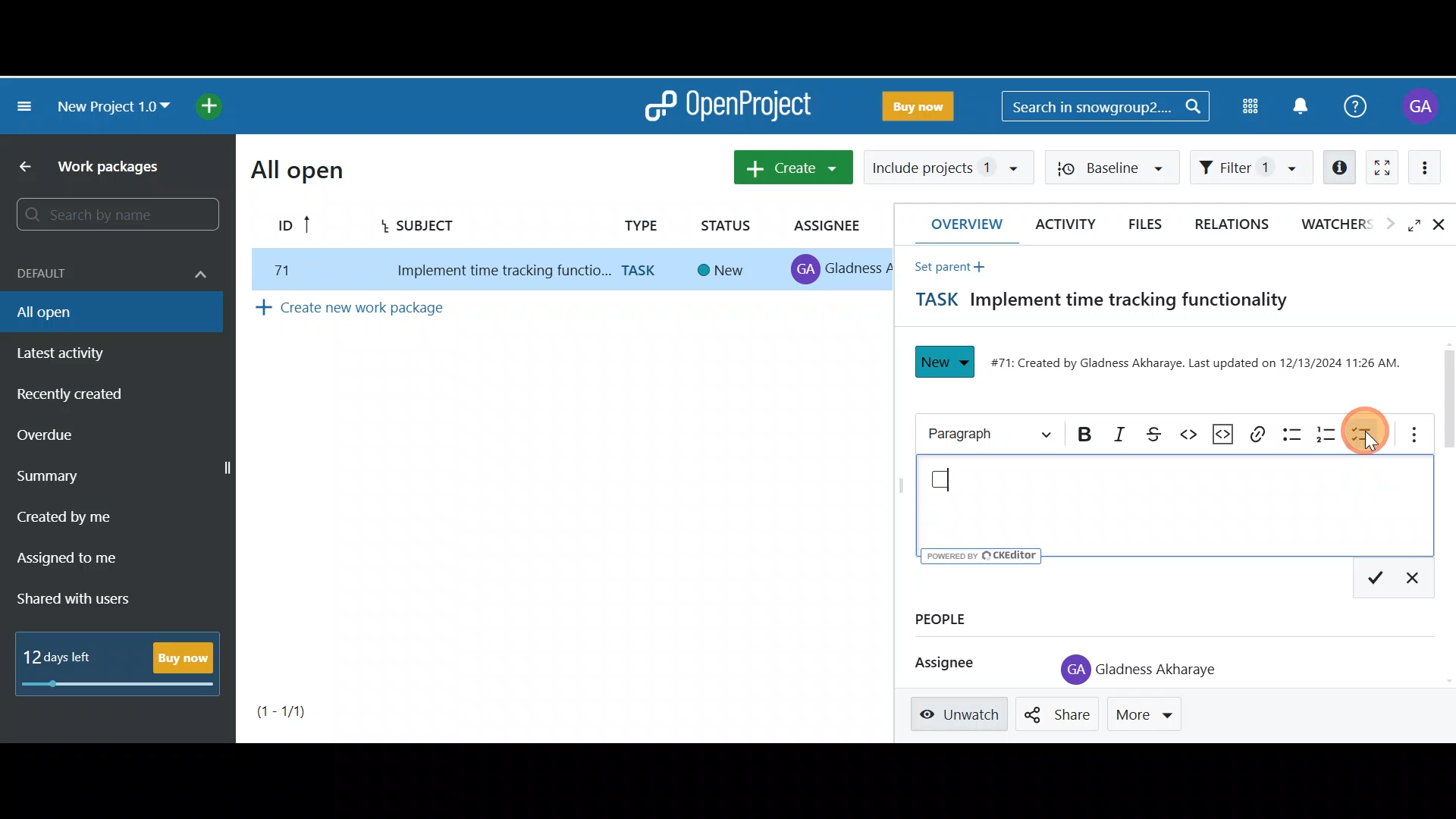  Describe the element at coordinates (723, 271) in the screenshot. I see `new` at that location.